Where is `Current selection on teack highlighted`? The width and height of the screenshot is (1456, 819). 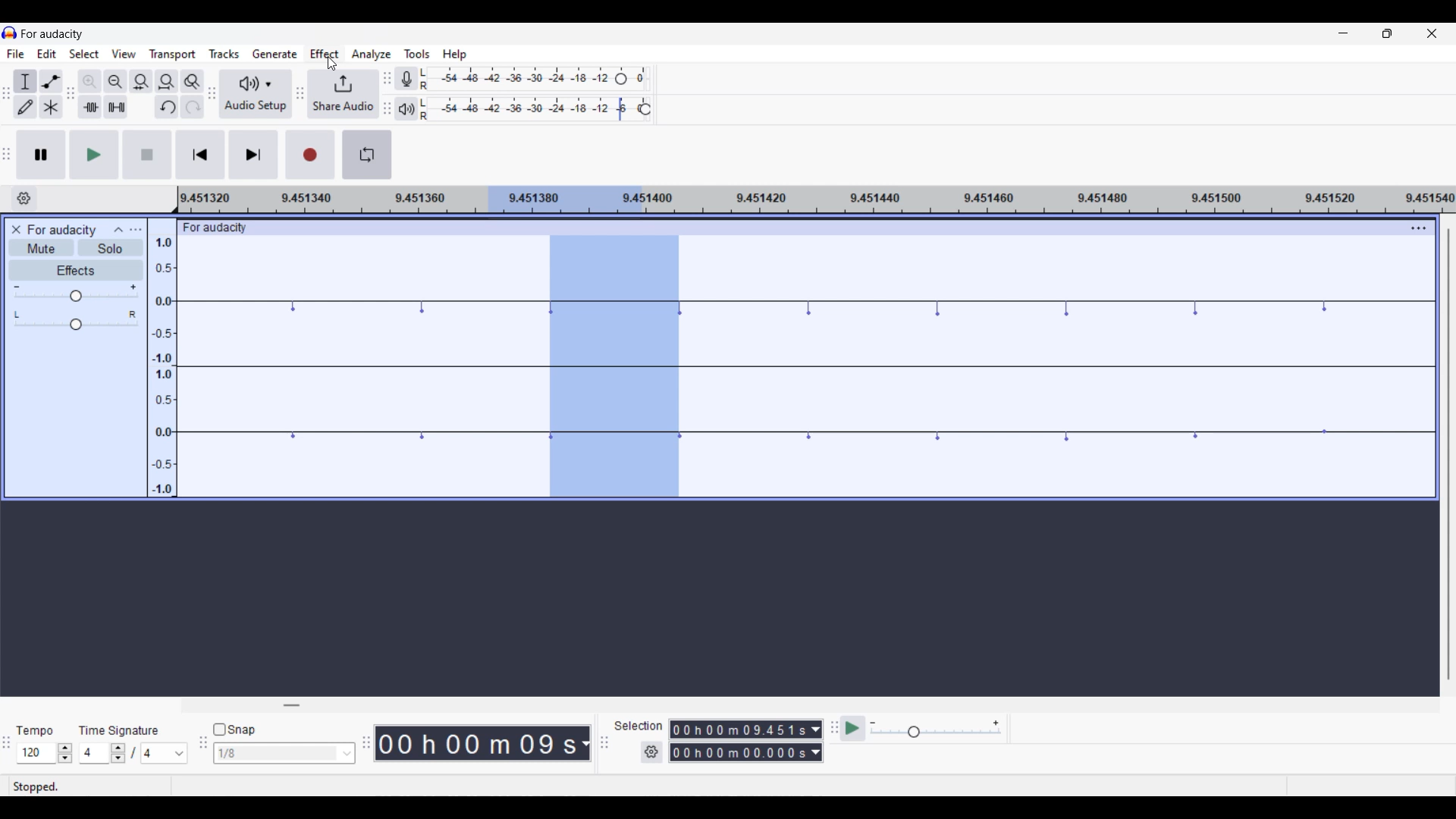
Current selection on teack highlighted is located at coordinates (616, 367).